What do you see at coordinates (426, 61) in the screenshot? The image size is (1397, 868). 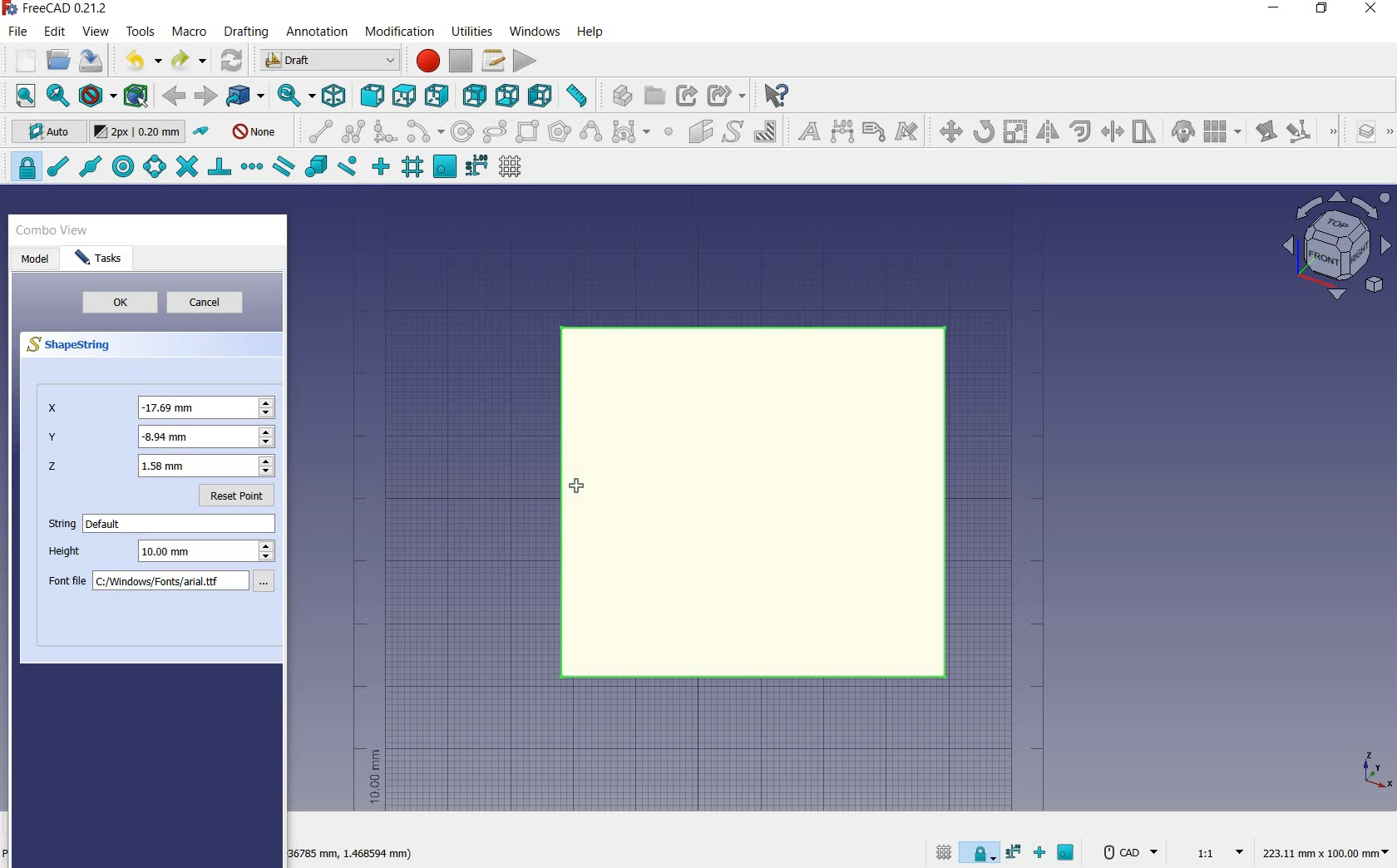 I see `macro recording` at bounding box center [426, 61].